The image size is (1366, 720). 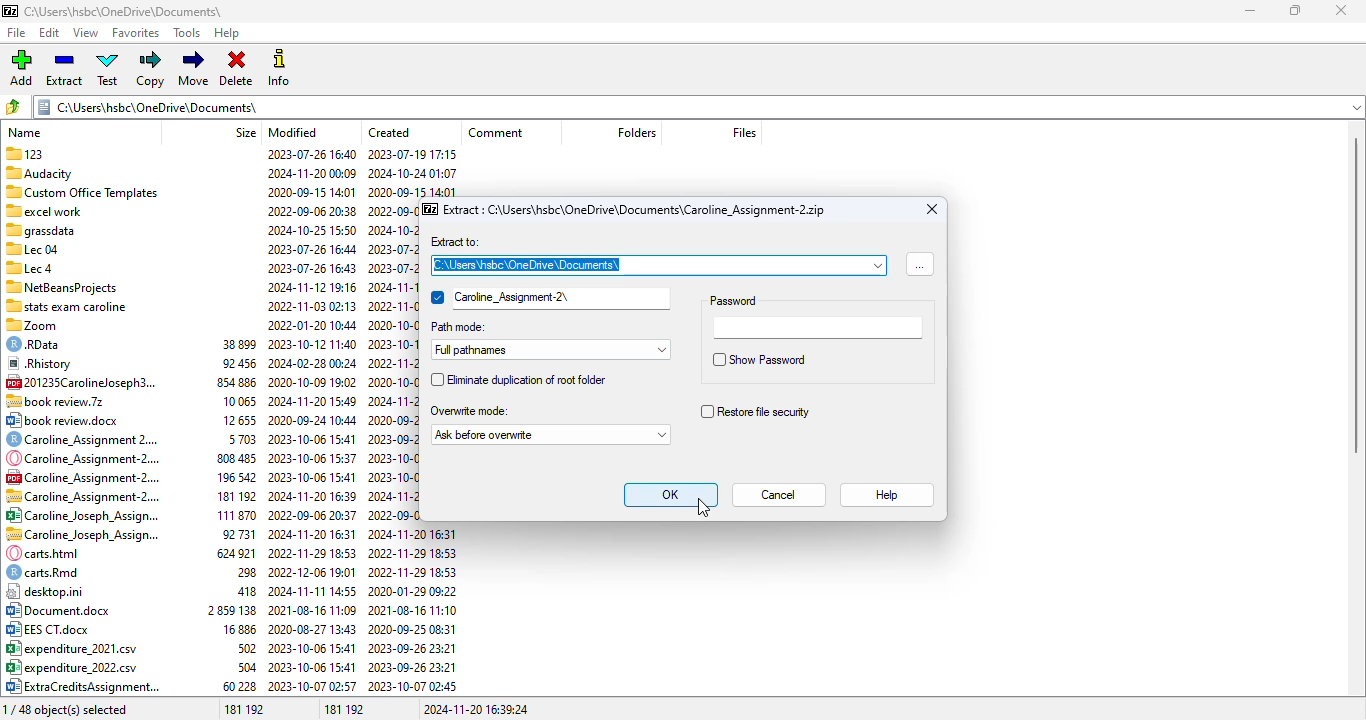 What do you see at coordinates (454, 242) in the screenshot?
I see `extract to:` at bounding box center [454, 242].